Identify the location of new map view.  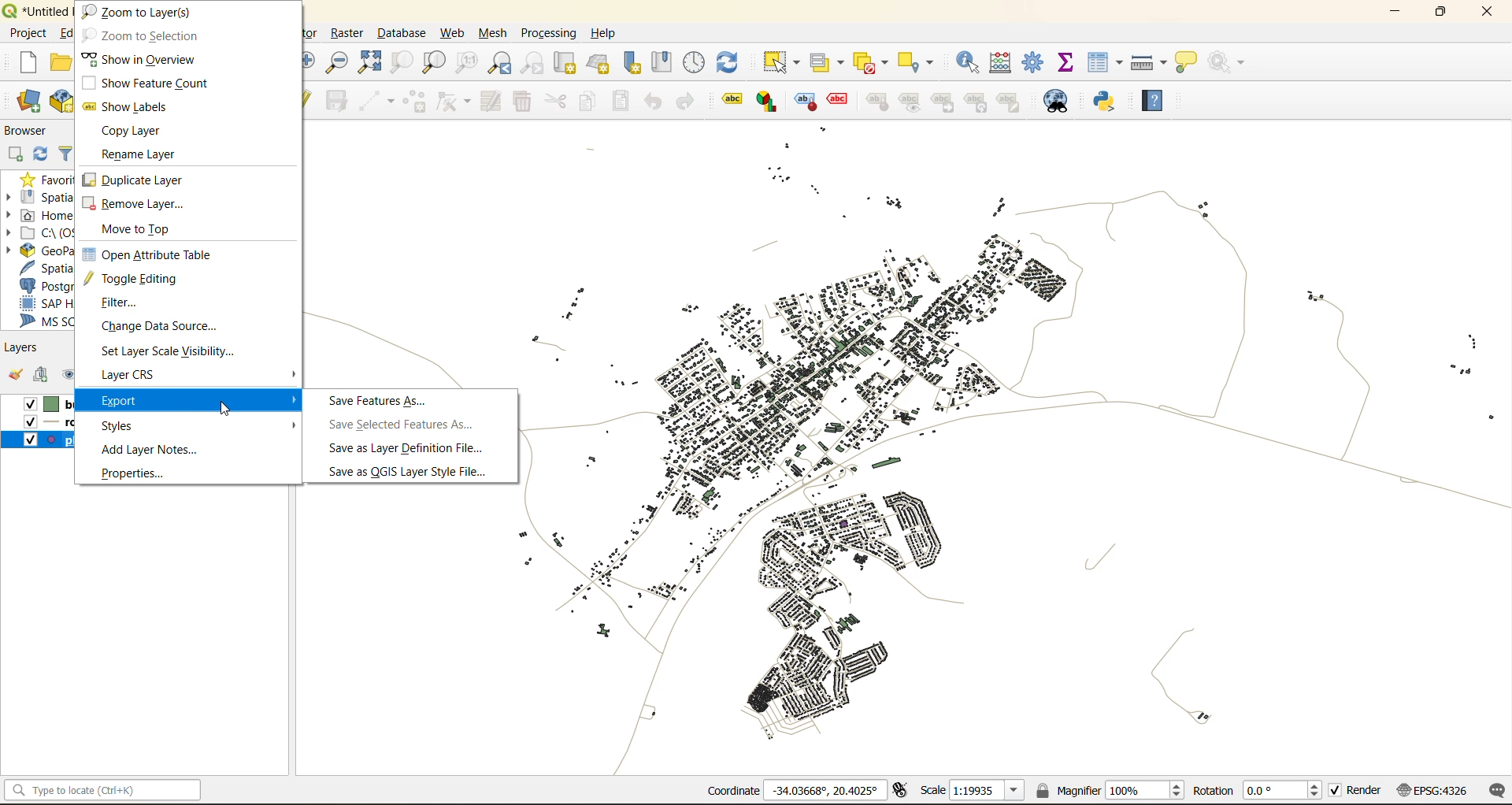
(566, 63).